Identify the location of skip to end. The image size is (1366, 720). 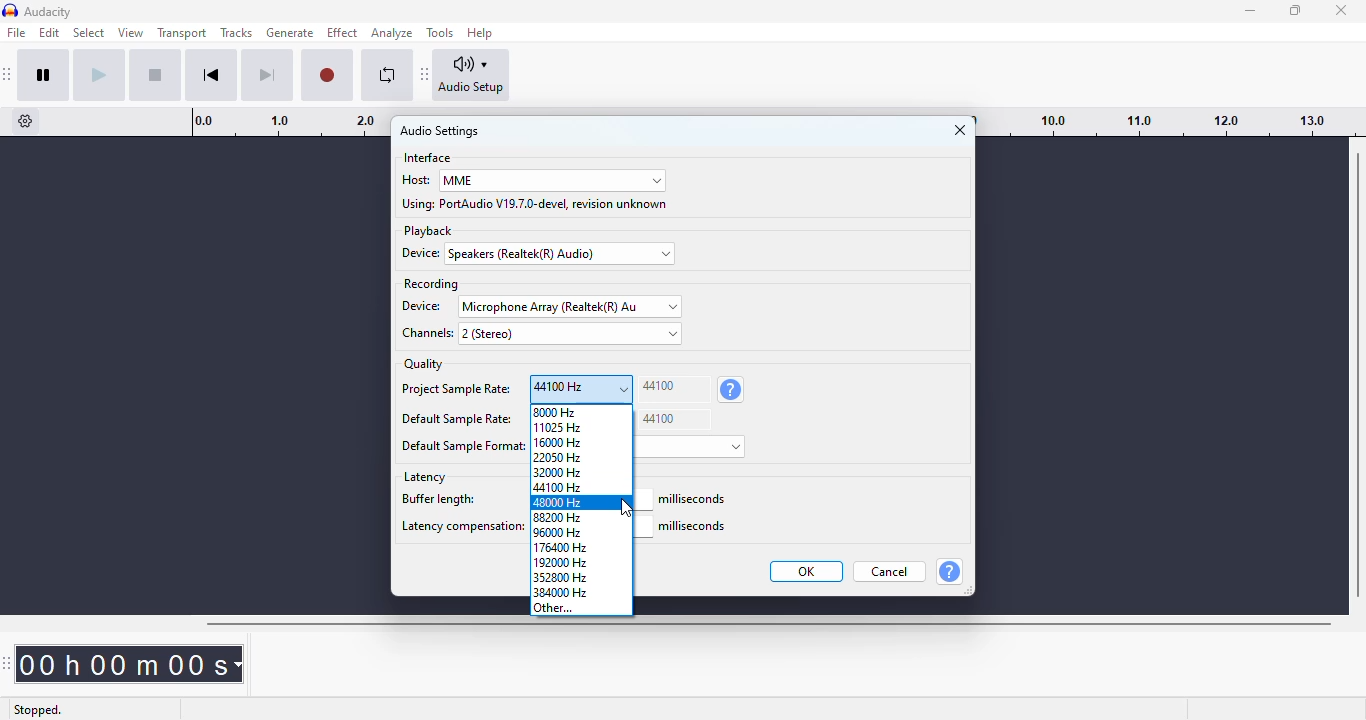
(266, 76).